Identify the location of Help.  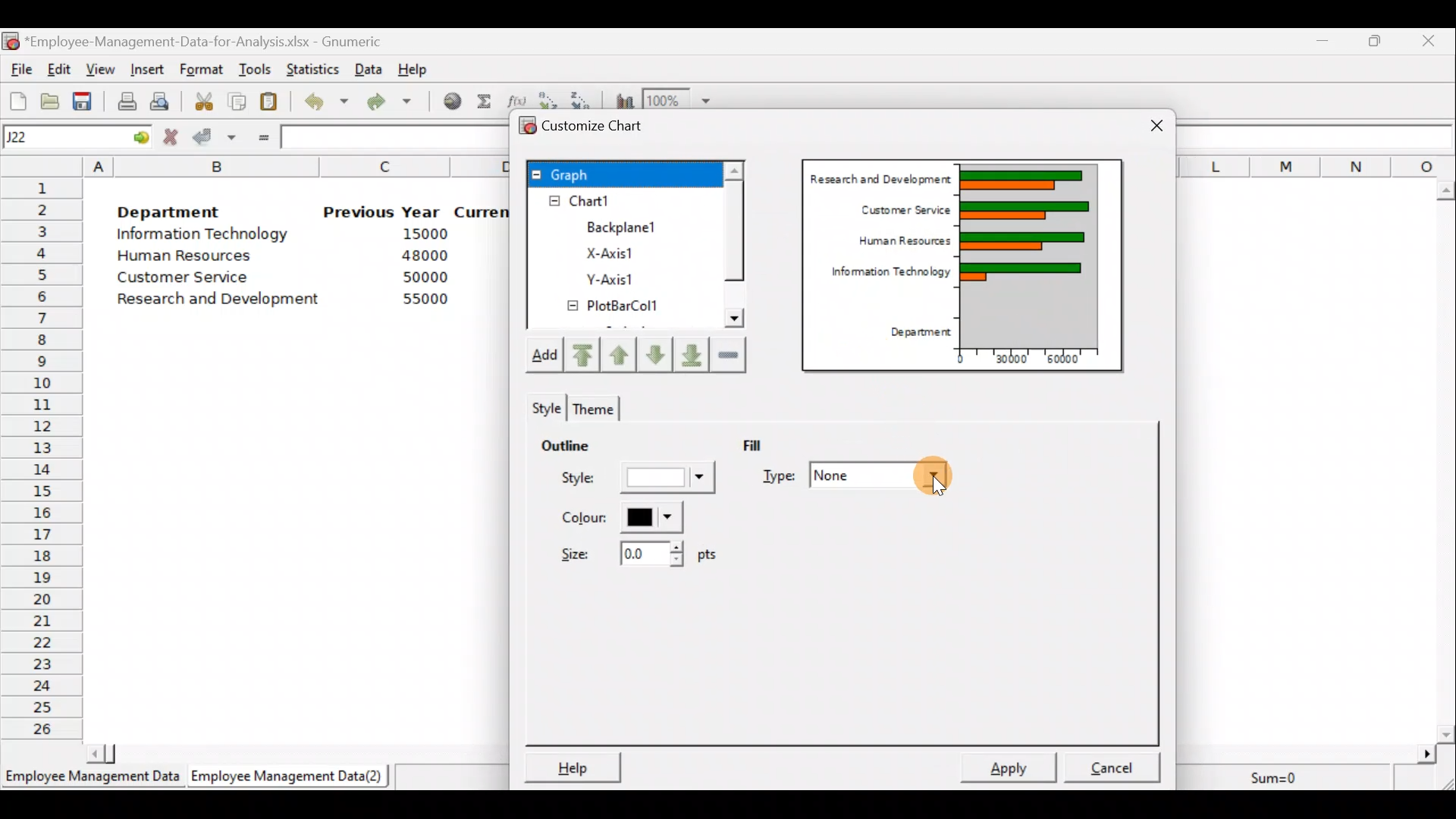
(573, 764).